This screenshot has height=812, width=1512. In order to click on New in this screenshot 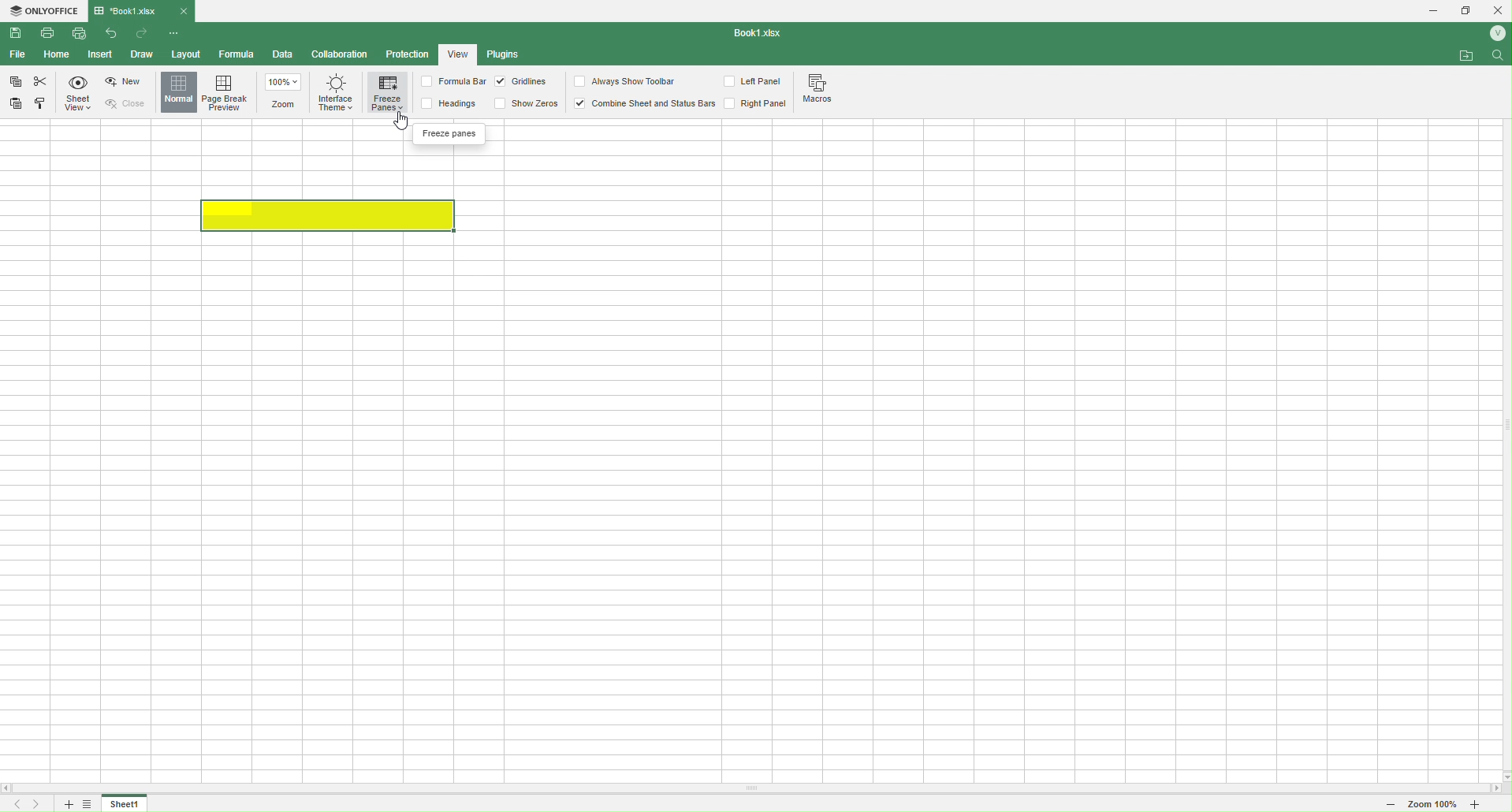, I will do `click(125, 82)`.